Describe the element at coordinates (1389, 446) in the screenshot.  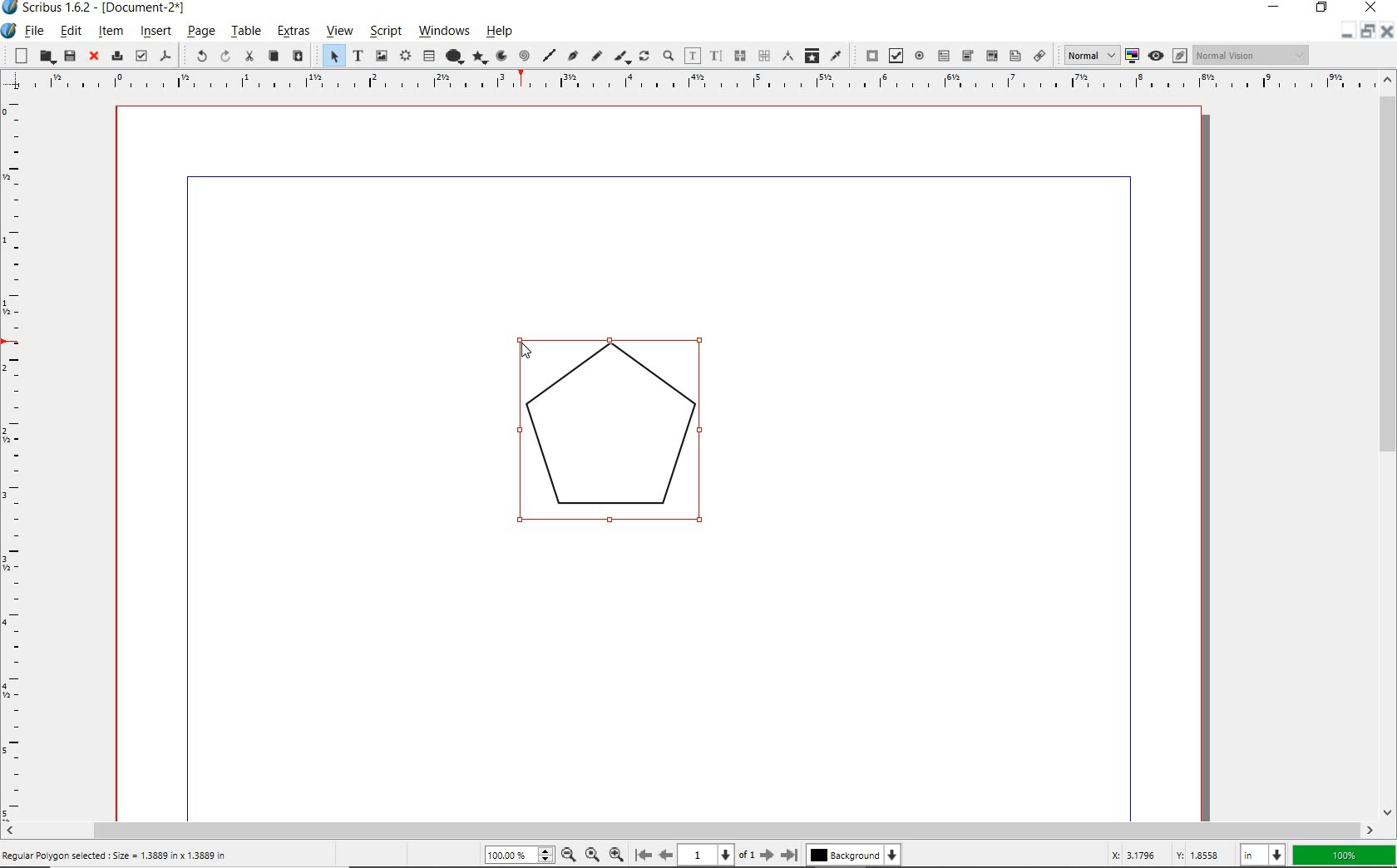
I see `scrollbar` at that location.